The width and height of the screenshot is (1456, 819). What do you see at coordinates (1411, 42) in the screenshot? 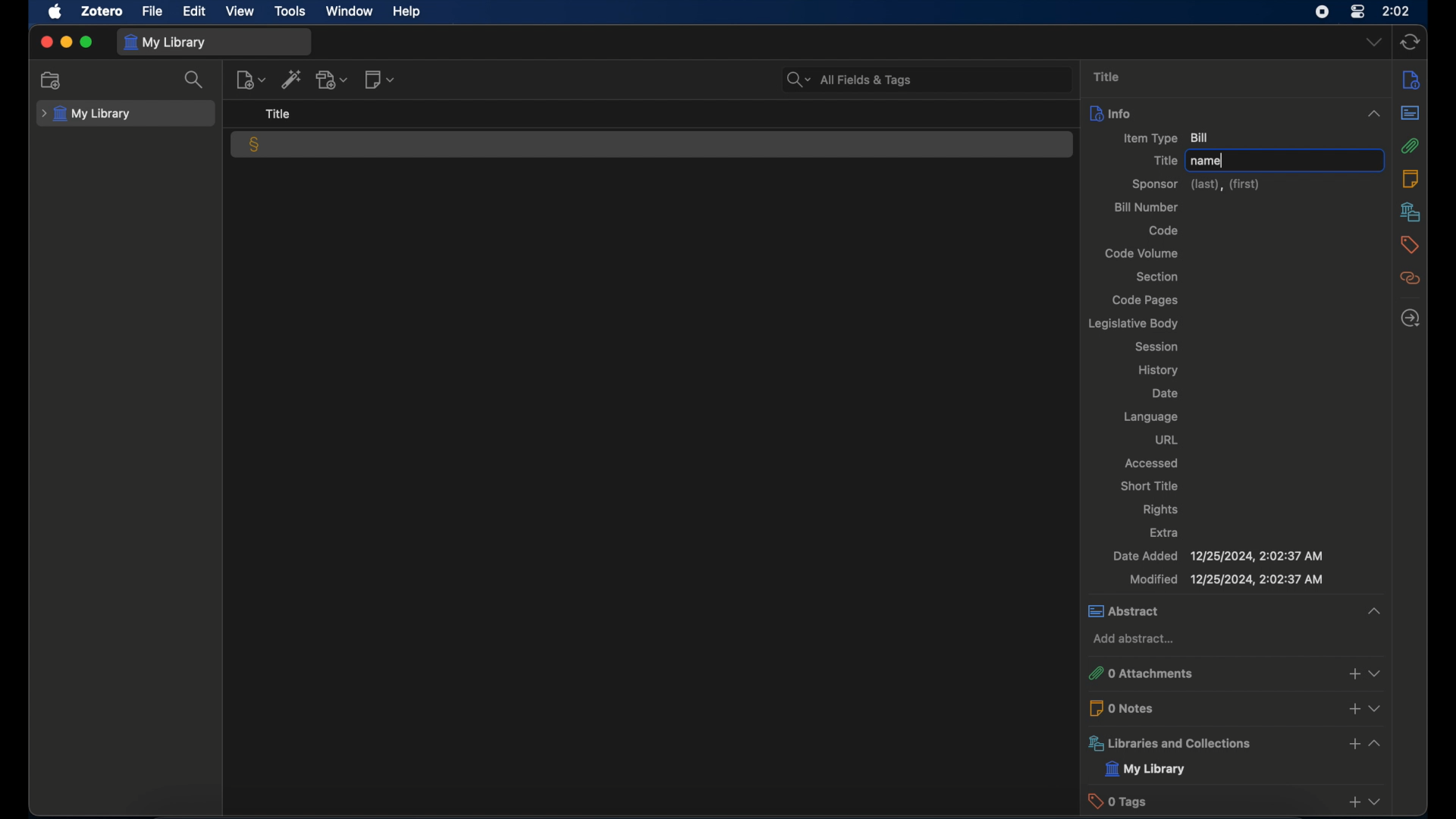
I see `sync` at bounding box center [1411, 42].